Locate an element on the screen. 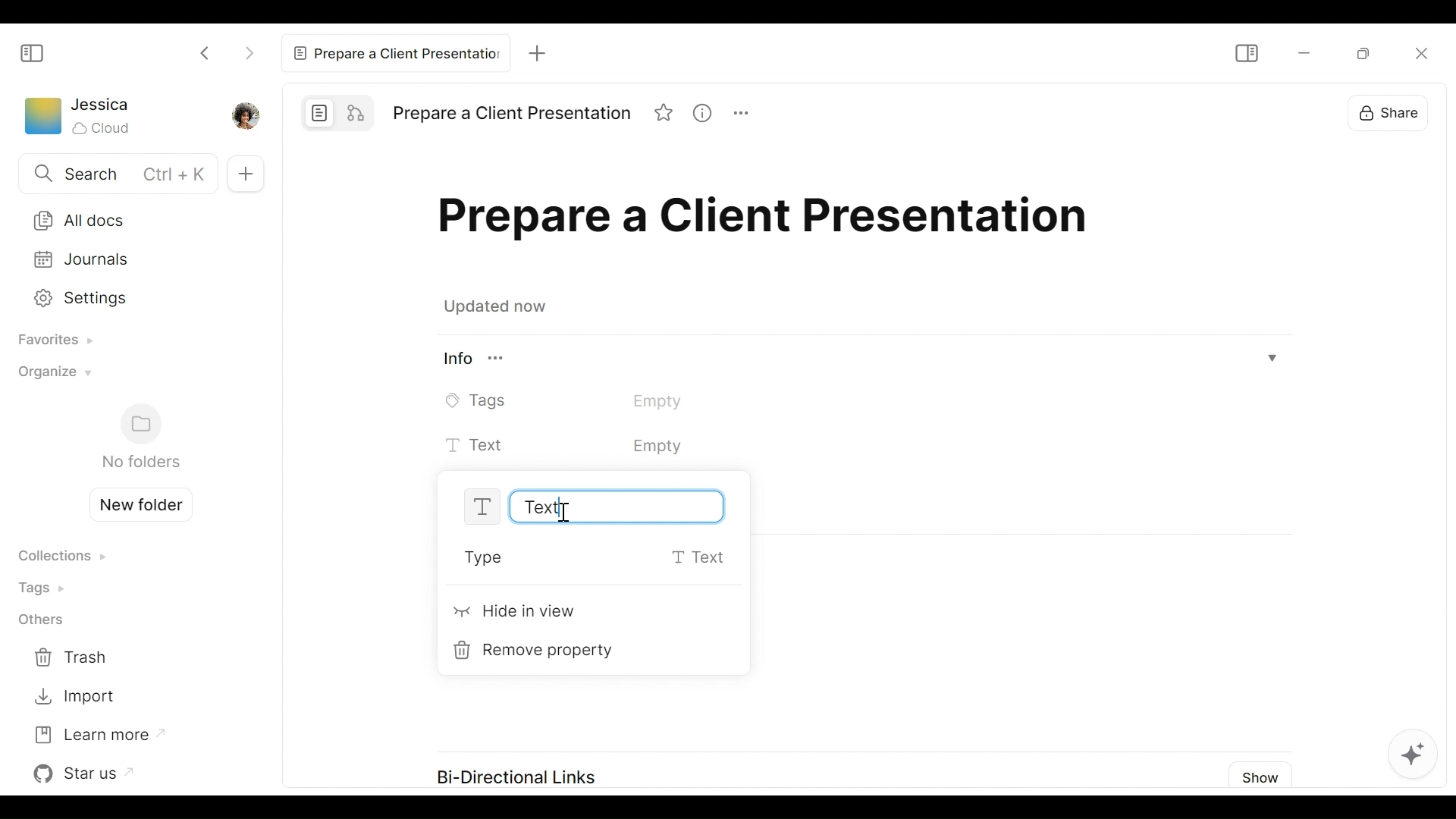 The height and width of the screenshot is (819, 1456). Current tab is located at coordinates (399, 53).